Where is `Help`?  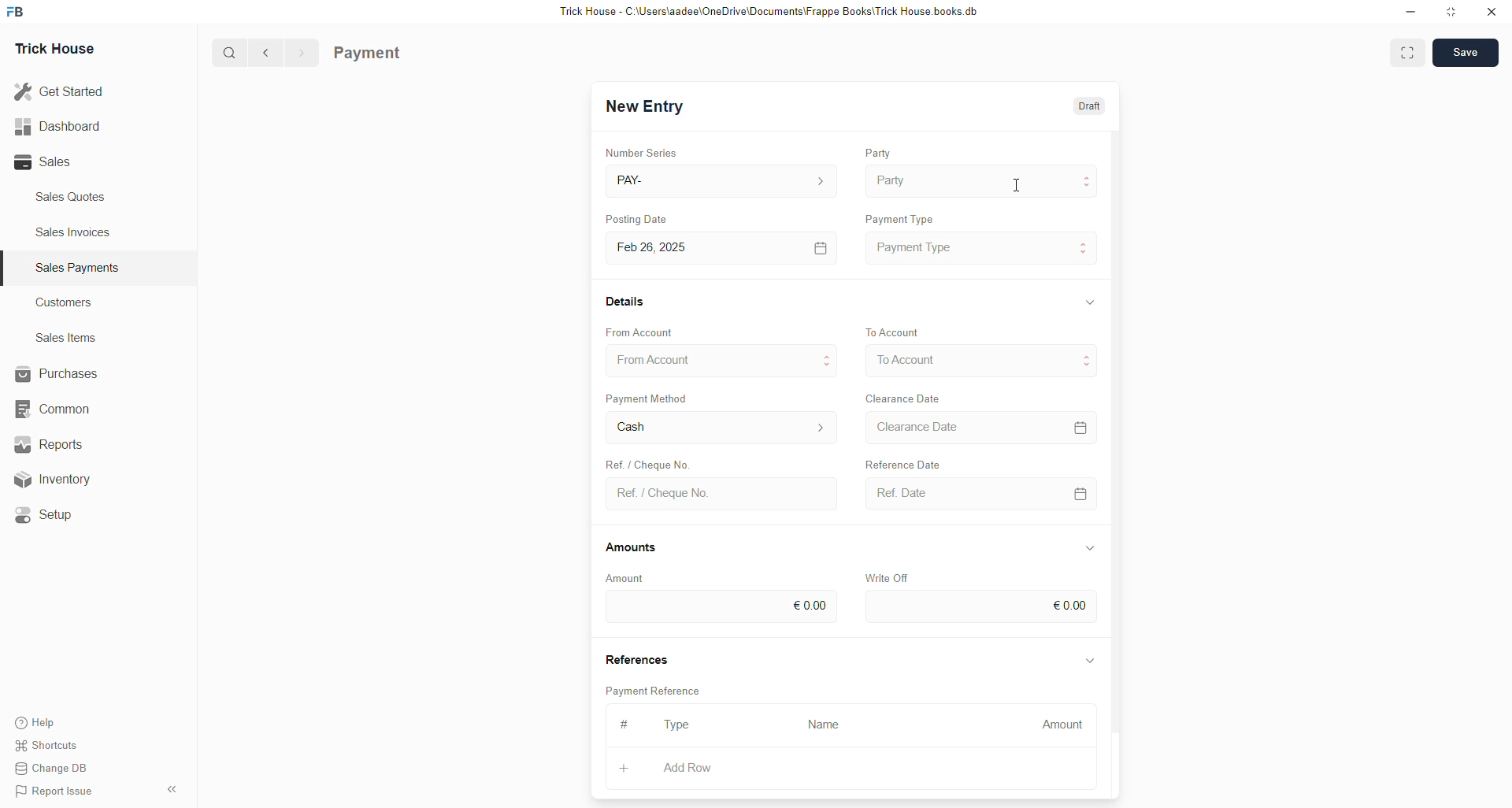 Help is located at coordinates (38, 718).